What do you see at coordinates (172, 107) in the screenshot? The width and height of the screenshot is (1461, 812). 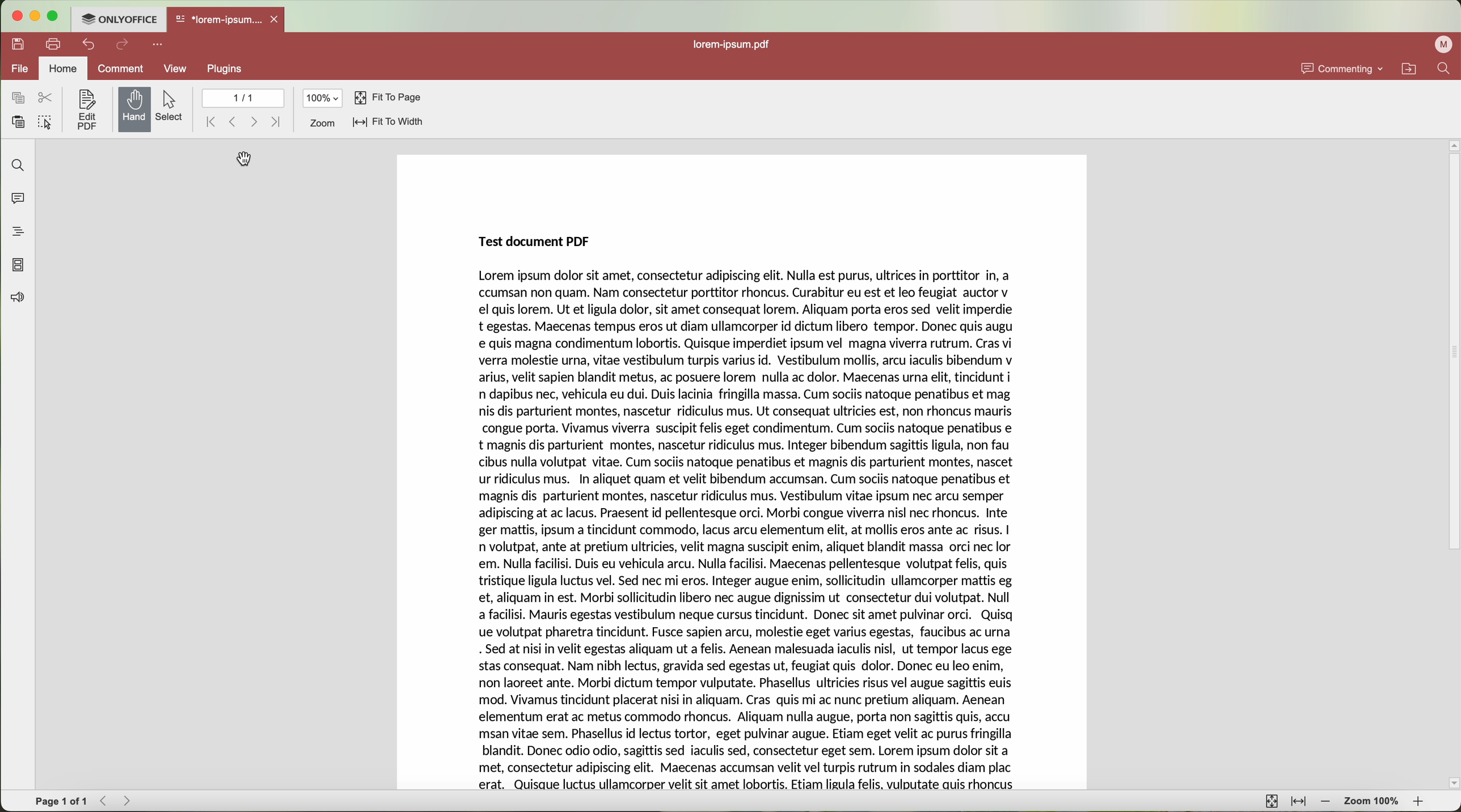 I see `select` at bounding box center [172, 107].